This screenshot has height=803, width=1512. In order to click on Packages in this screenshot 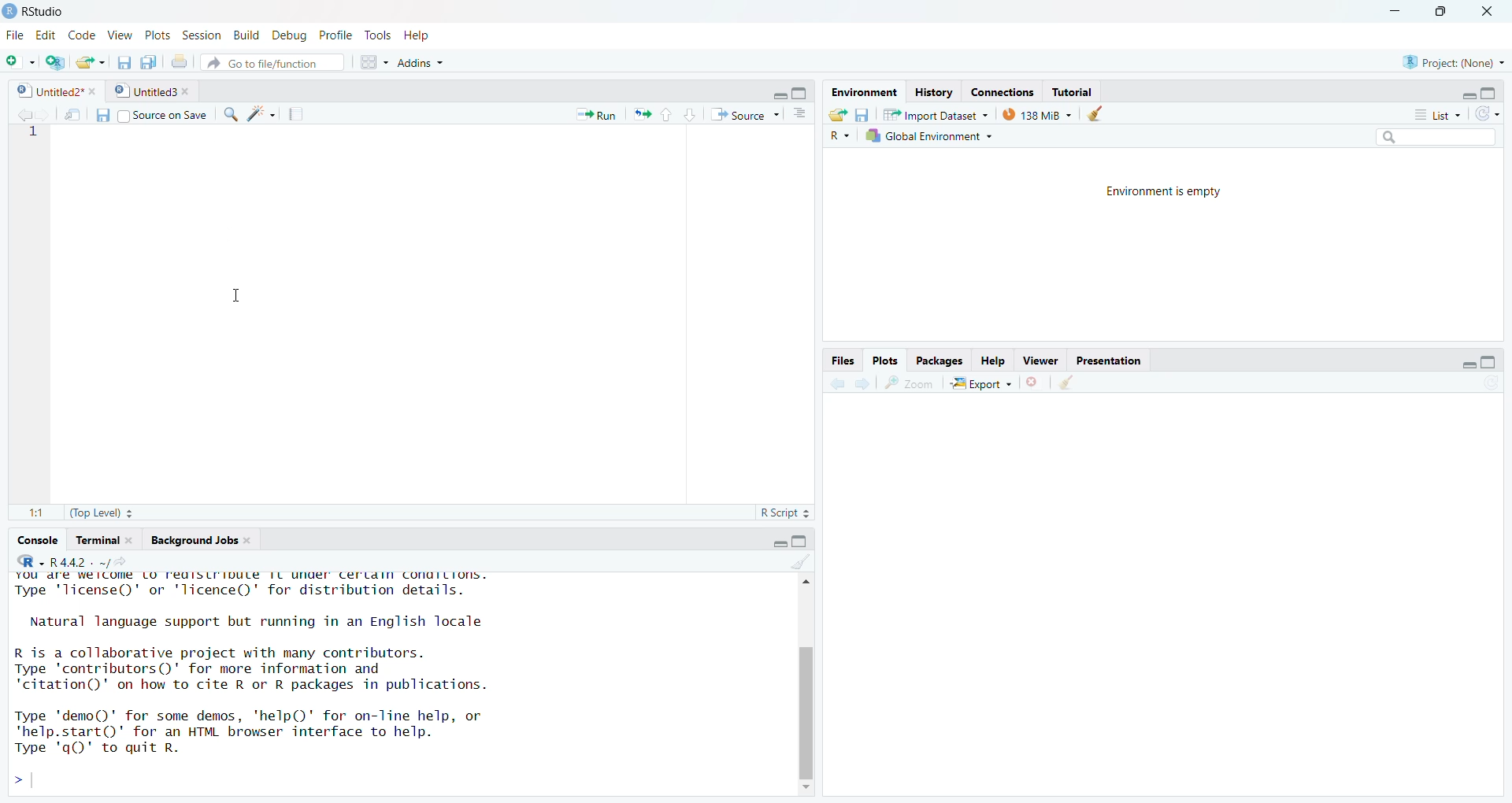, I will do `click(934, 360)`.